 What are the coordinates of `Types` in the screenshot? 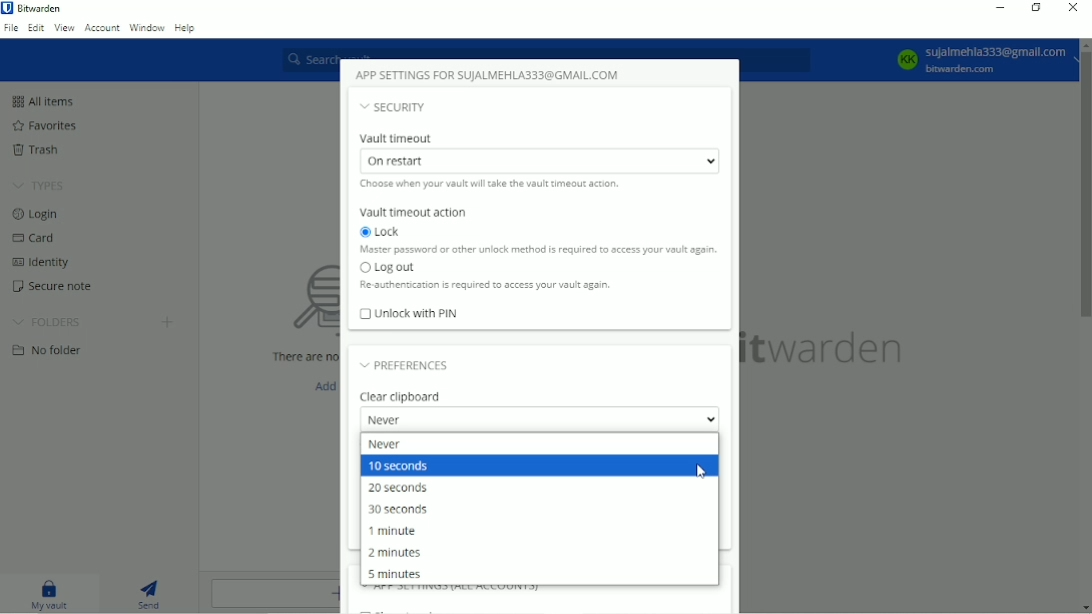 It's located at (42, 186).